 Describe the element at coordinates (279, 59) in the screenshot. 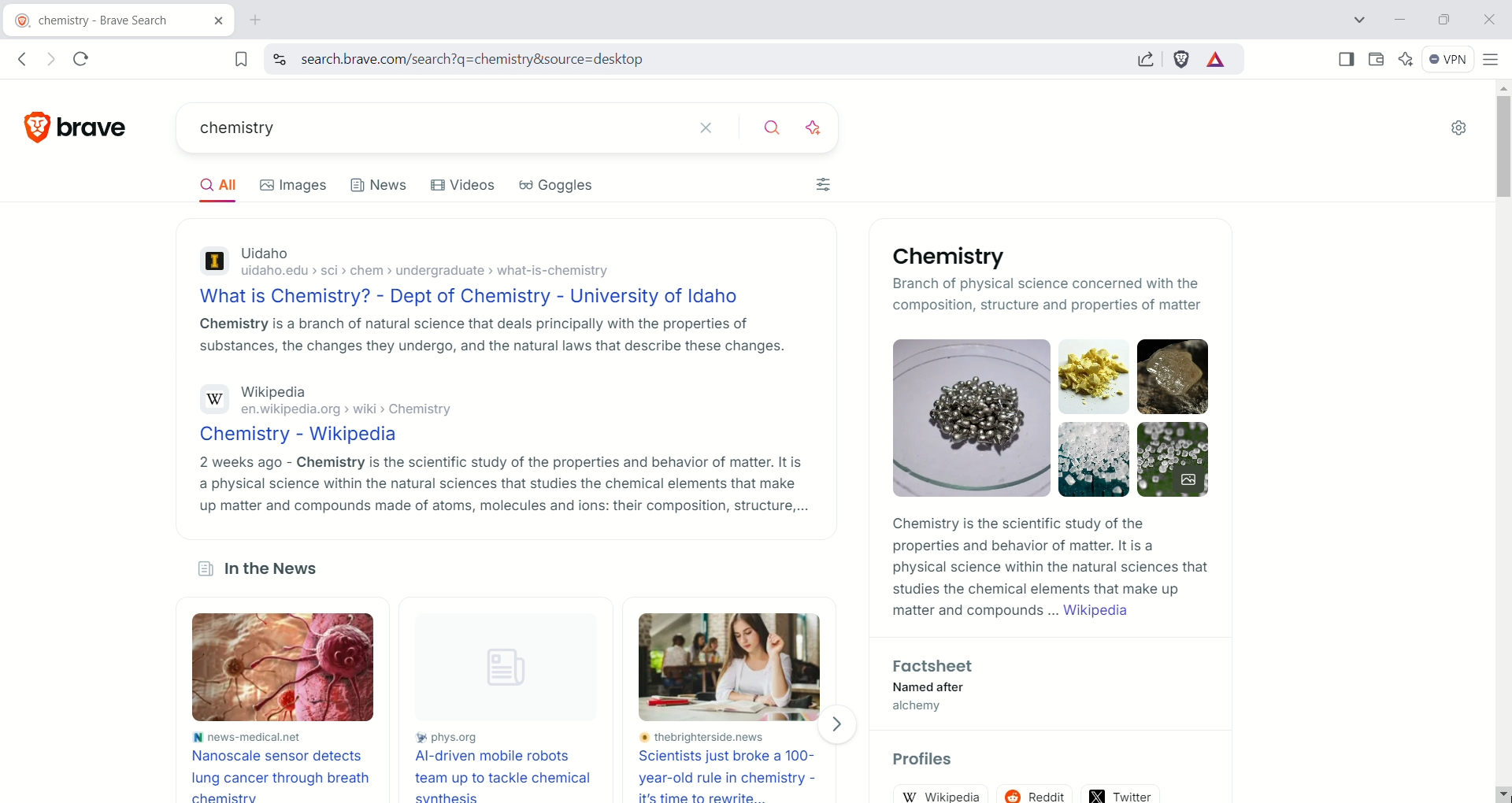

I see `view site information` at that location.